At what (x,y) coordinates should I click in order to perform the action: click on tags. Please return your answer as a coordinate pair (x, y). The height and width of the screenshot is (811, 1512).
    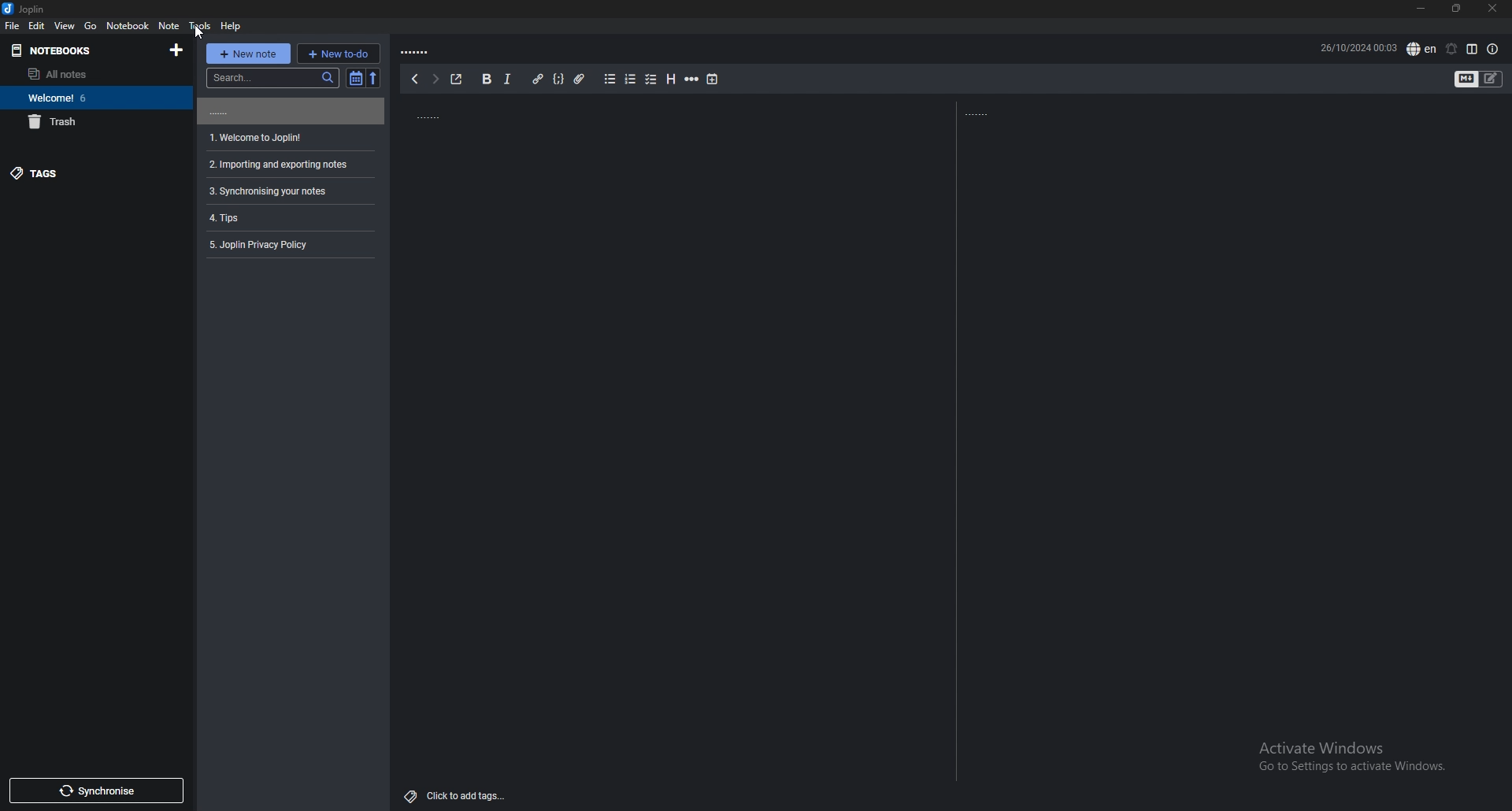
    Looking at the image, I should click on (88, 175).